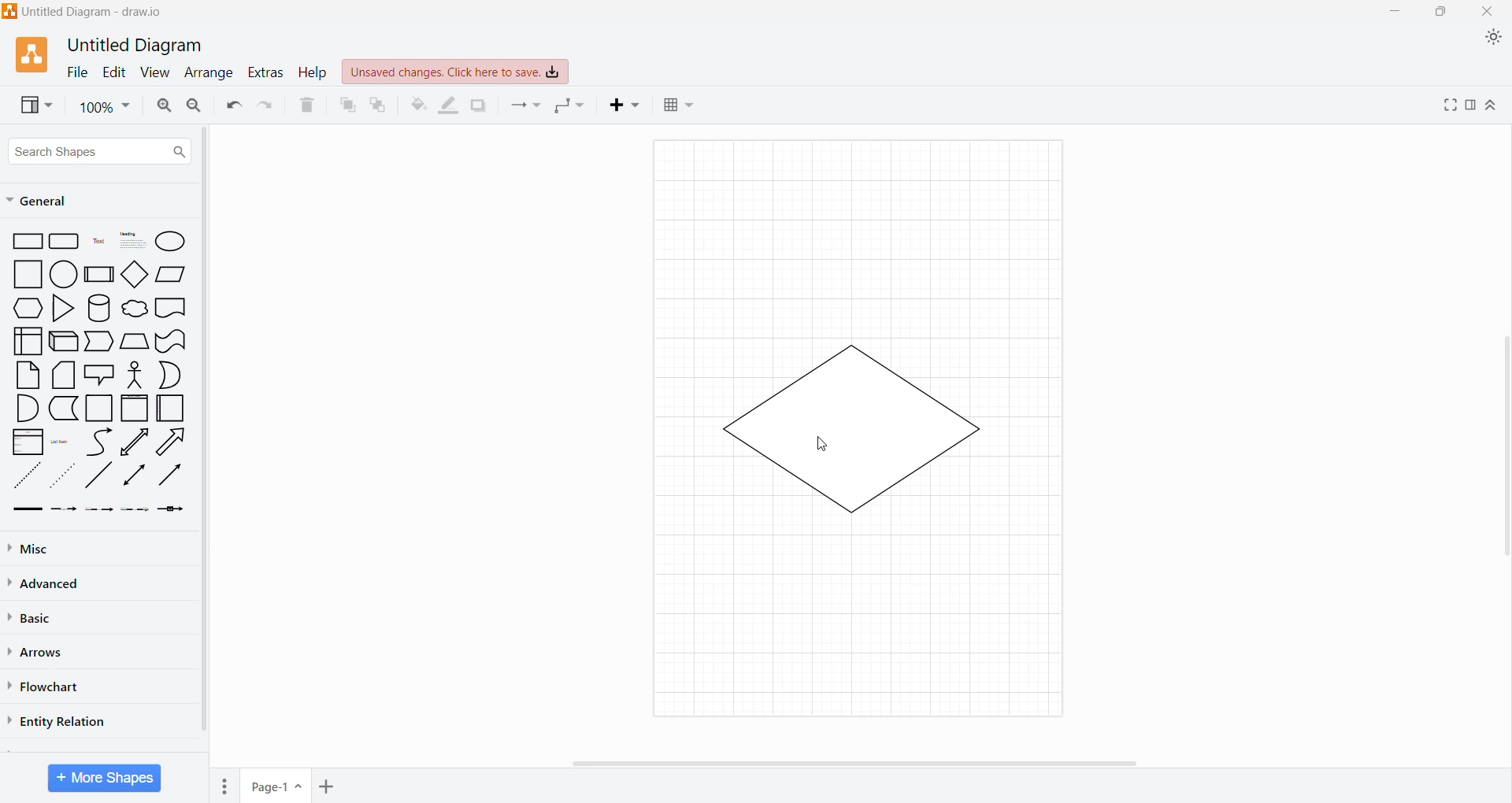 Image resolution: width=1512 pixels, height=803 pixels. I want to click on Line Color, so click(449, 105).